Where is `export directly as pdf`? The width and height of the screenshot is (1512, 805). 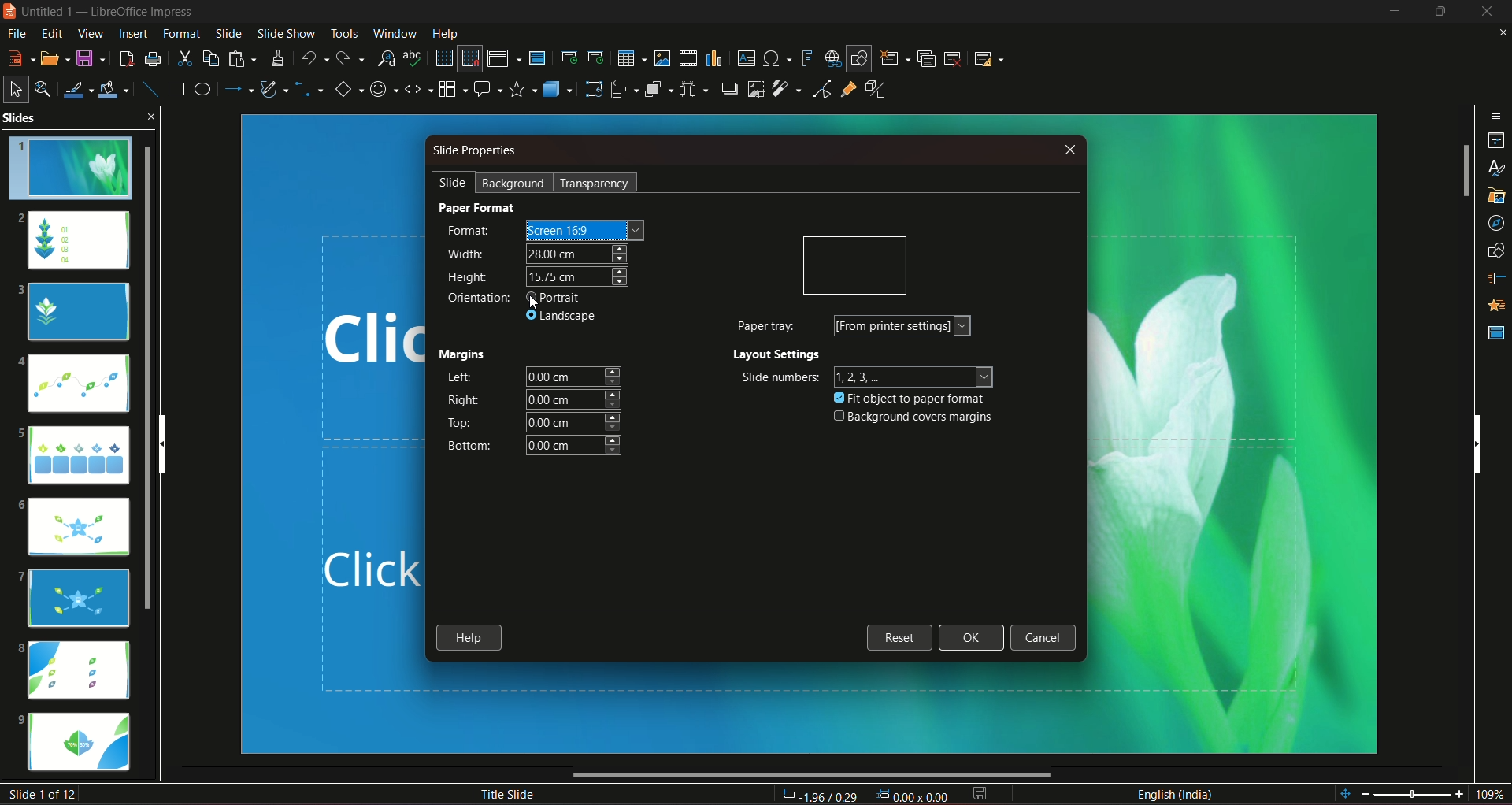
export directly as pdf is located at coordinates (126, 57).